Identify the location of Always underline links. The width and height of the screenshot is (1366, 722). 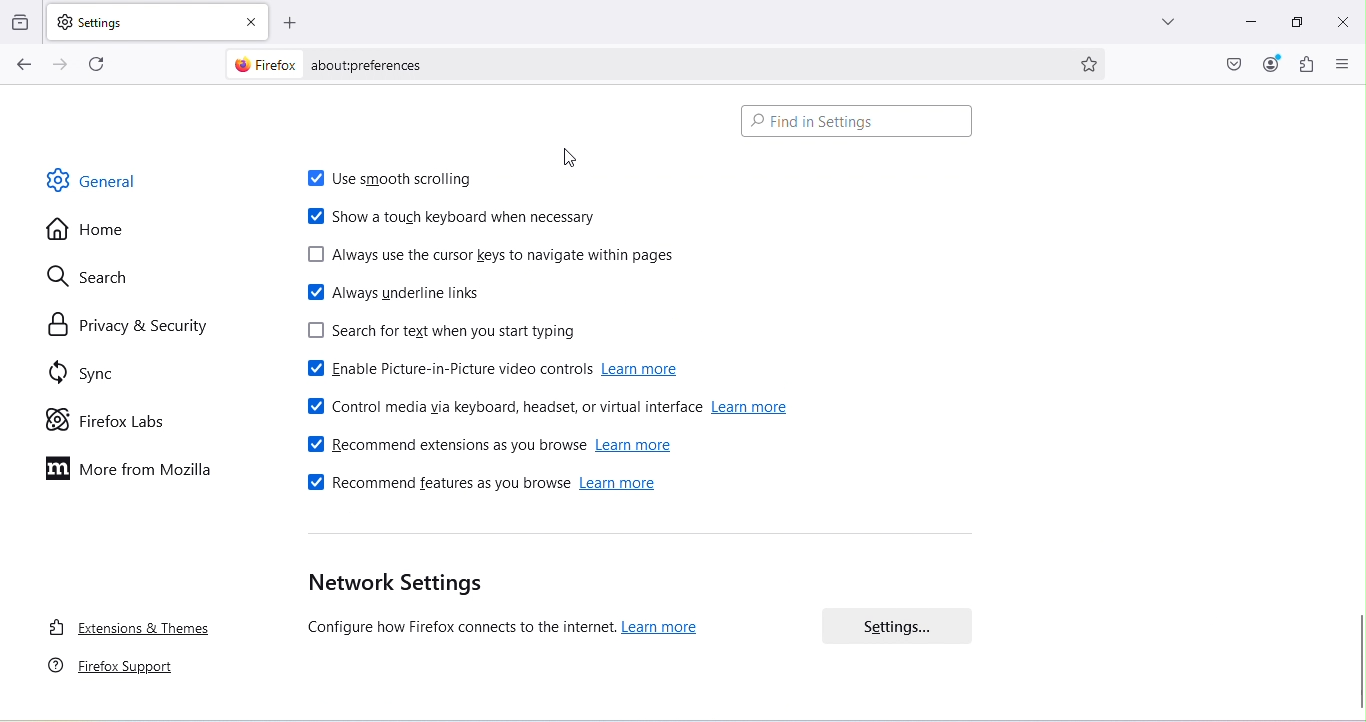
(386, 296).